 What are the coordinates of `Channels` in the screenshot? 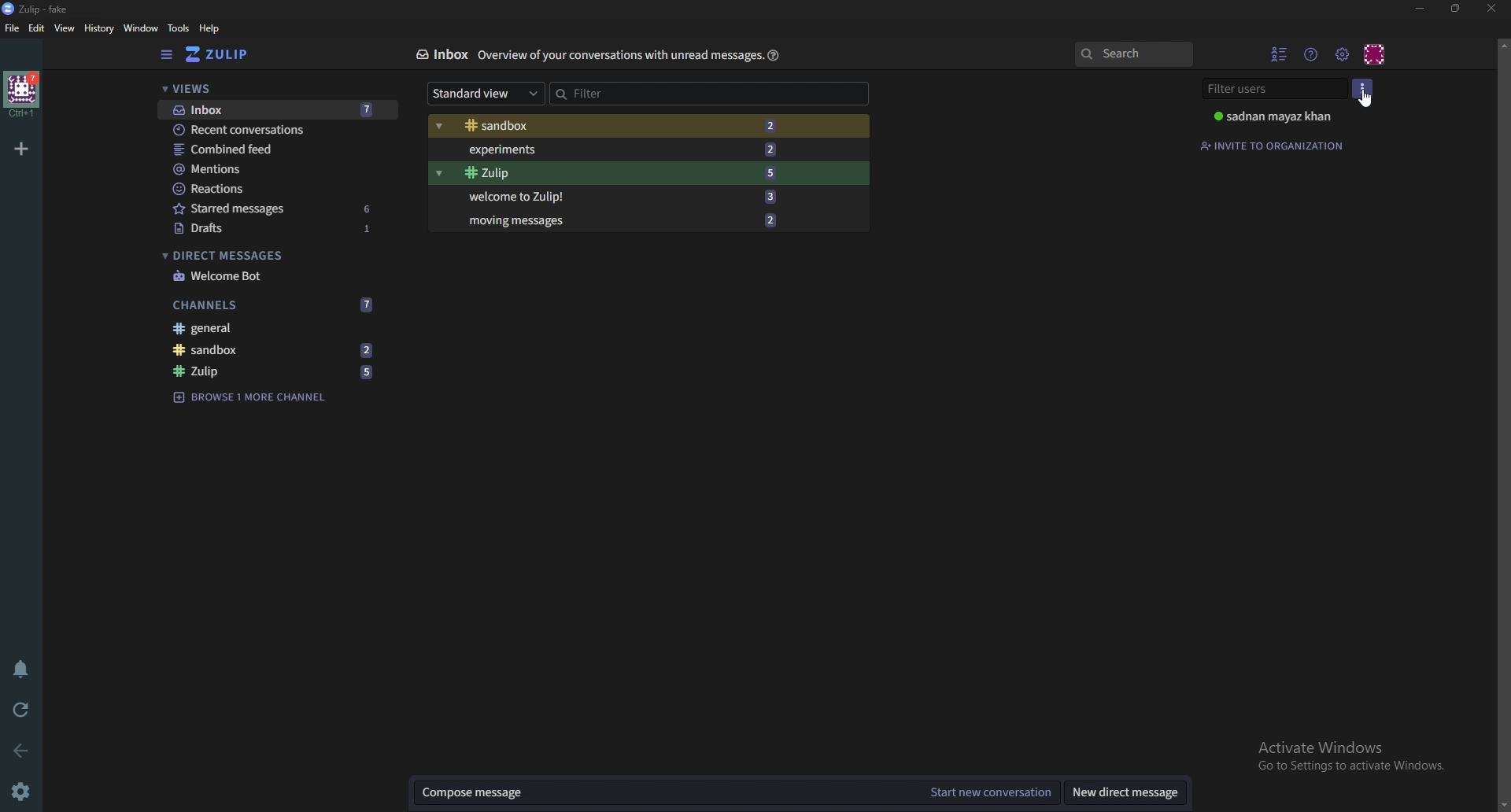 It's located at (271, 304).